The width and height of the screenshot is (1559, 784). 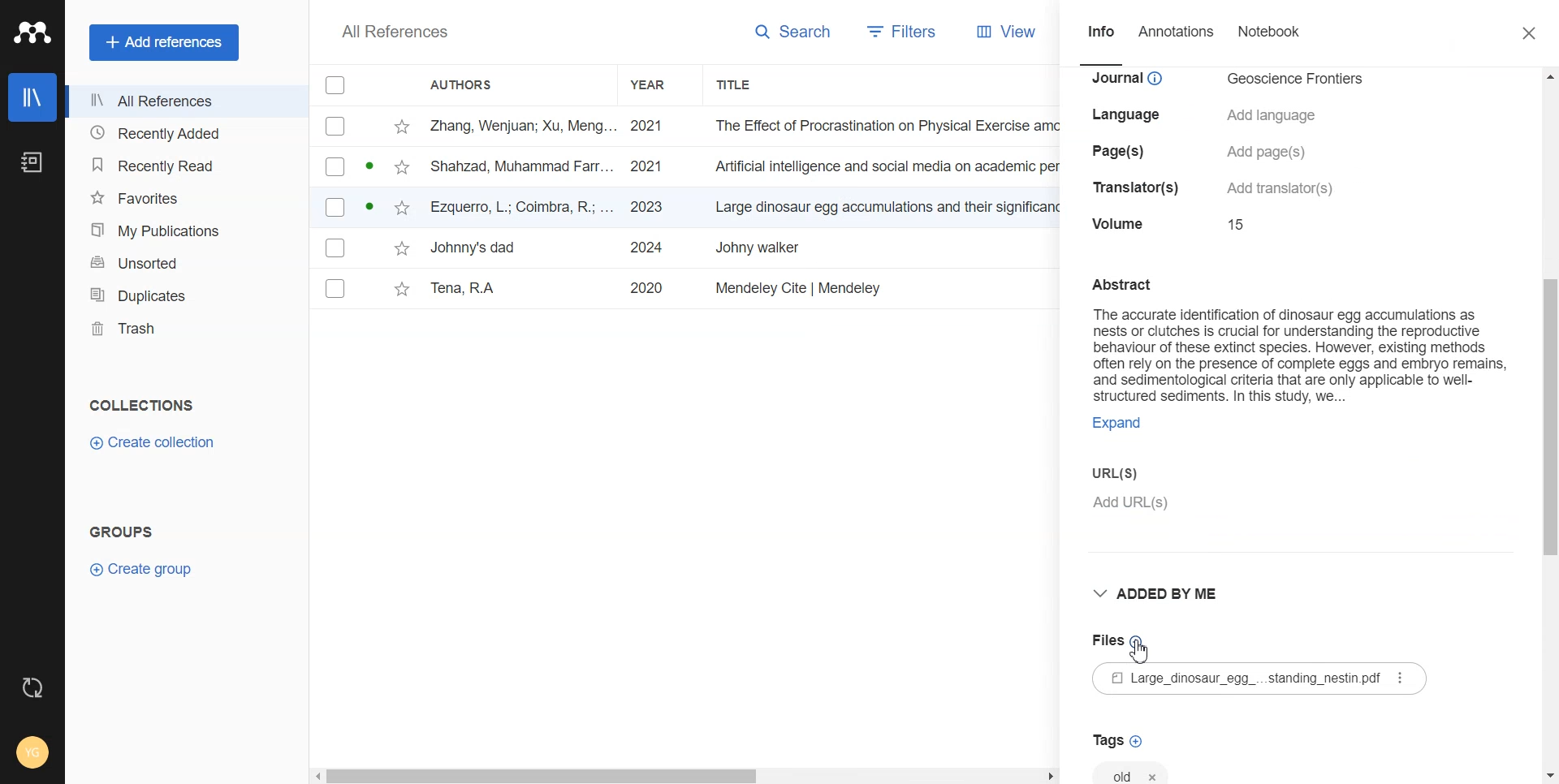 What do you see at coordinates (164, 42) in the screenshot?
I see `Add references` at bounding box center [164, 42].